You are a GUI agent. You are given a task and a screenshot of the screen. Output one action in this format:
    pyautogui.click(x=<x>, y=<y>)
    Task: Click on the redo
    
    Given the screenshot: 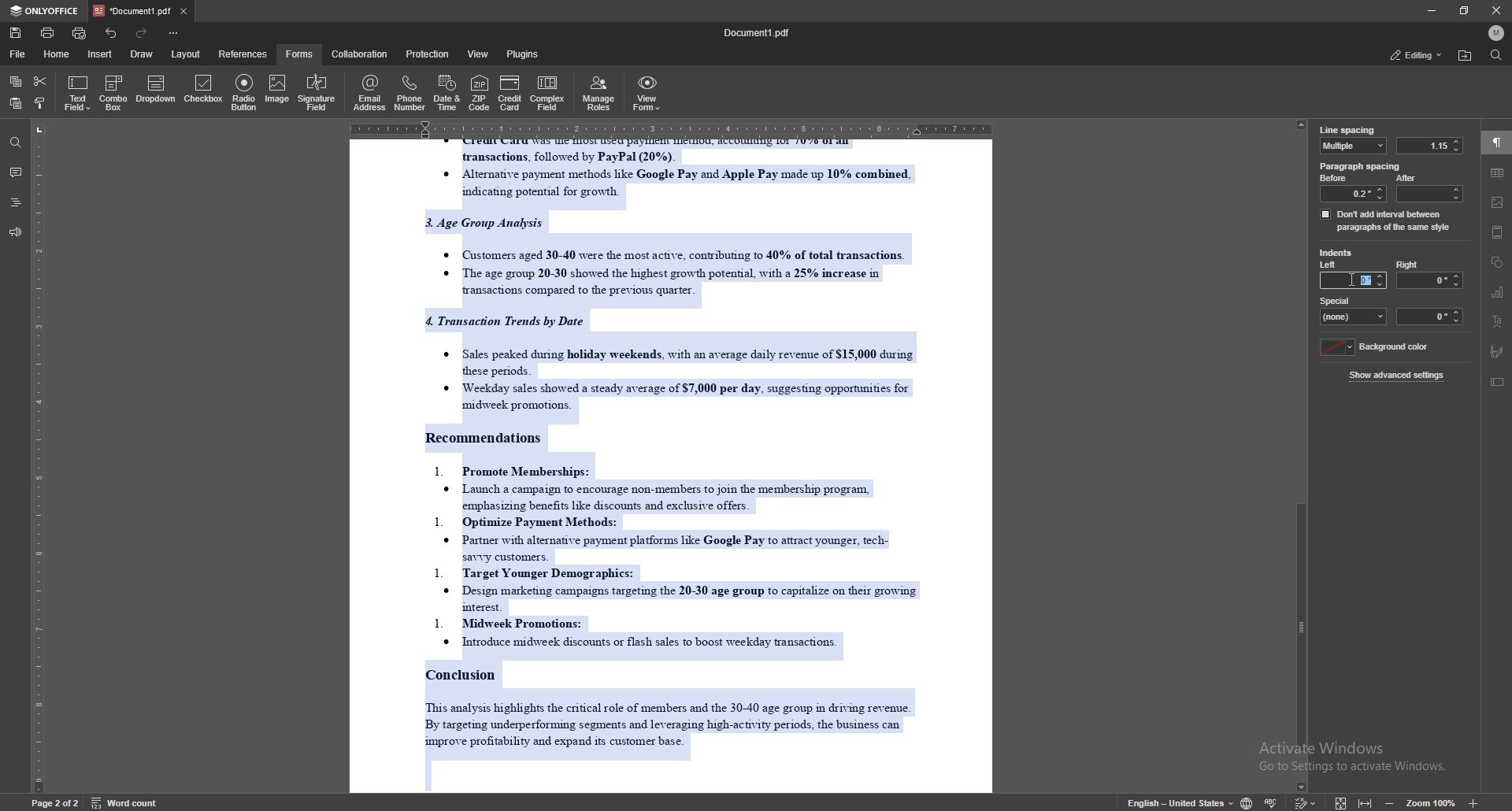 What is the action you would take?
    pyautogui.click(x=140, y=33)
    